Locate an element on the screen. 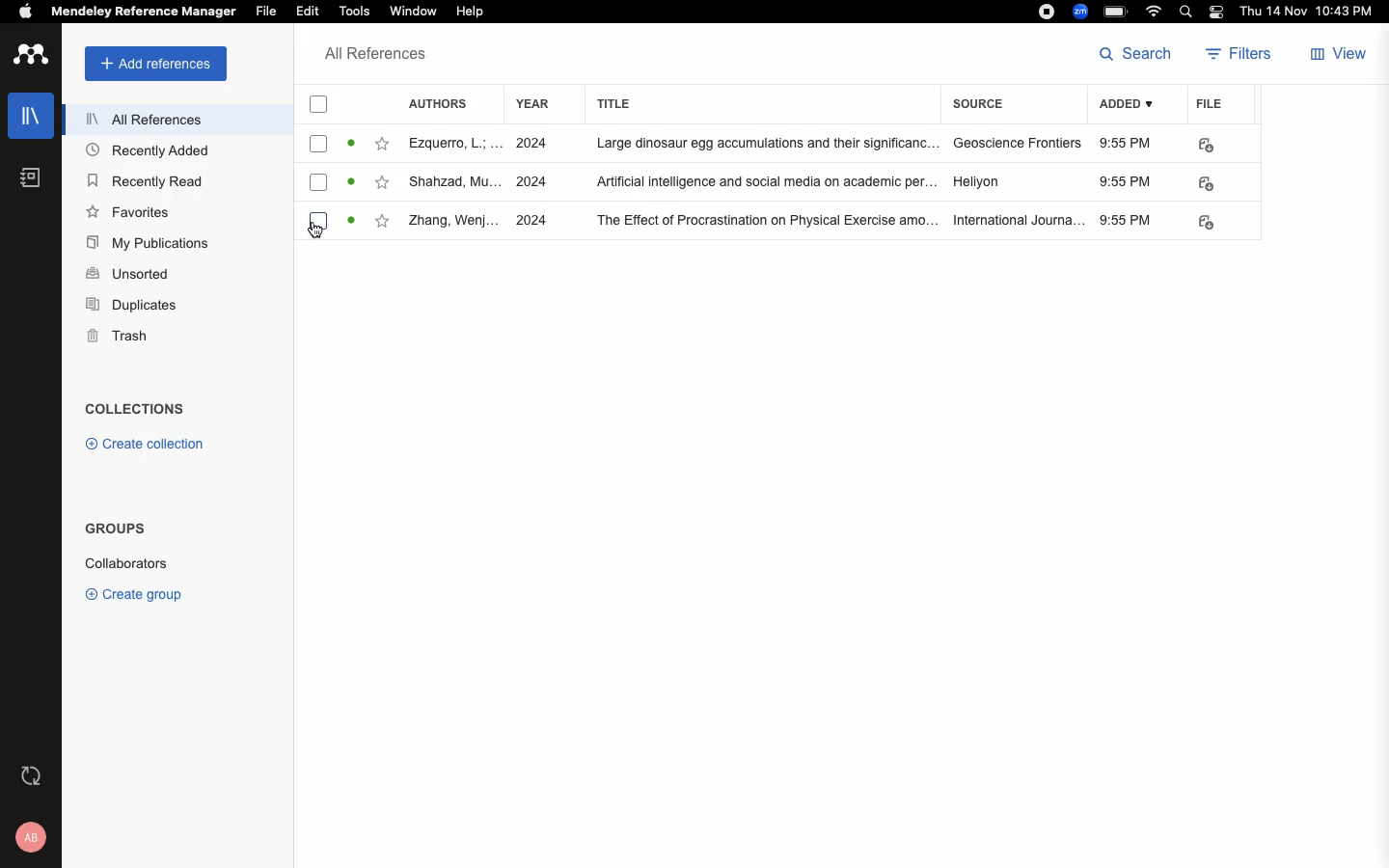  Charge is located at coordinates (1117, 14).